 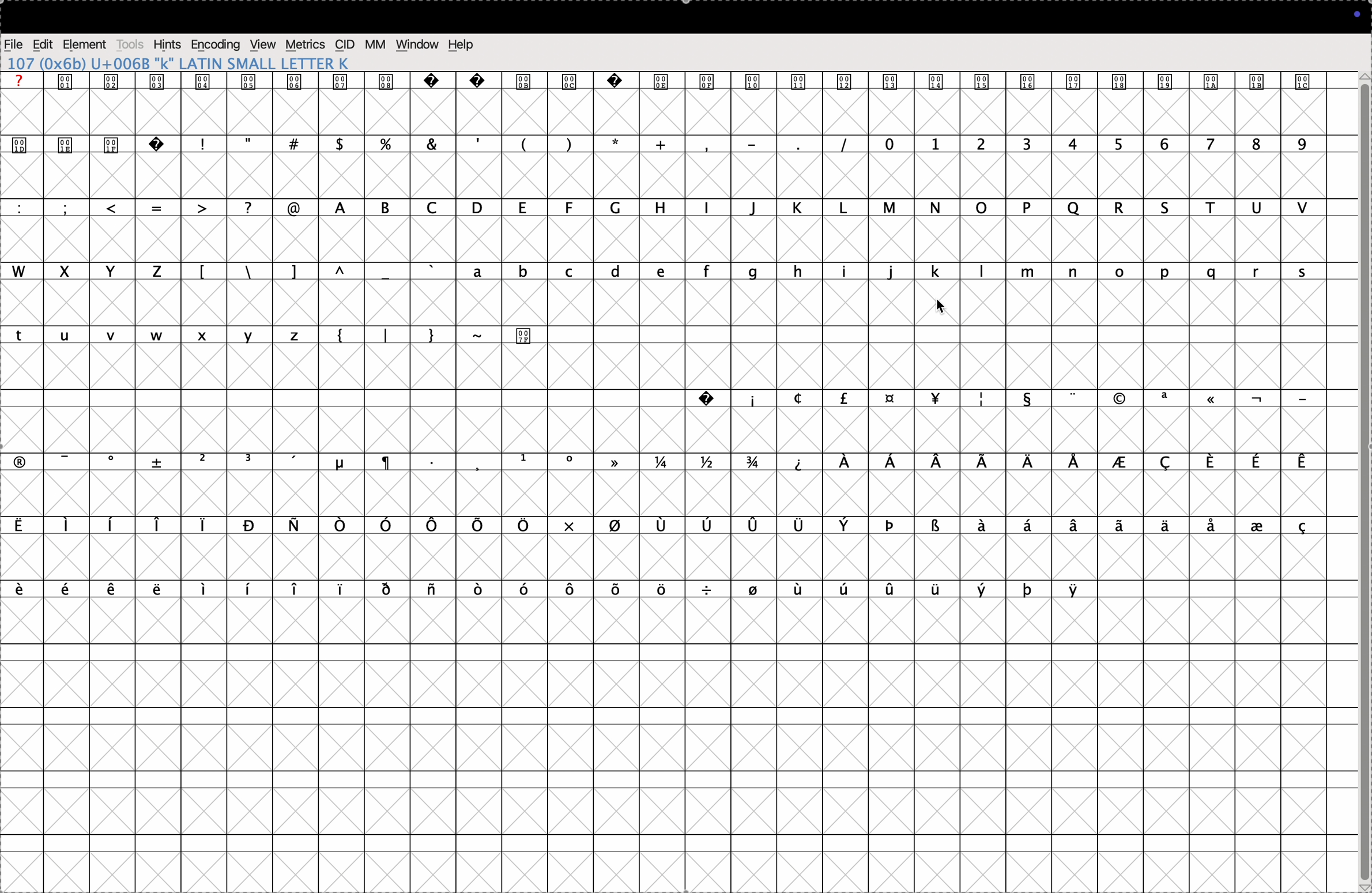 I want to click on h, so click(x=659, y=208).